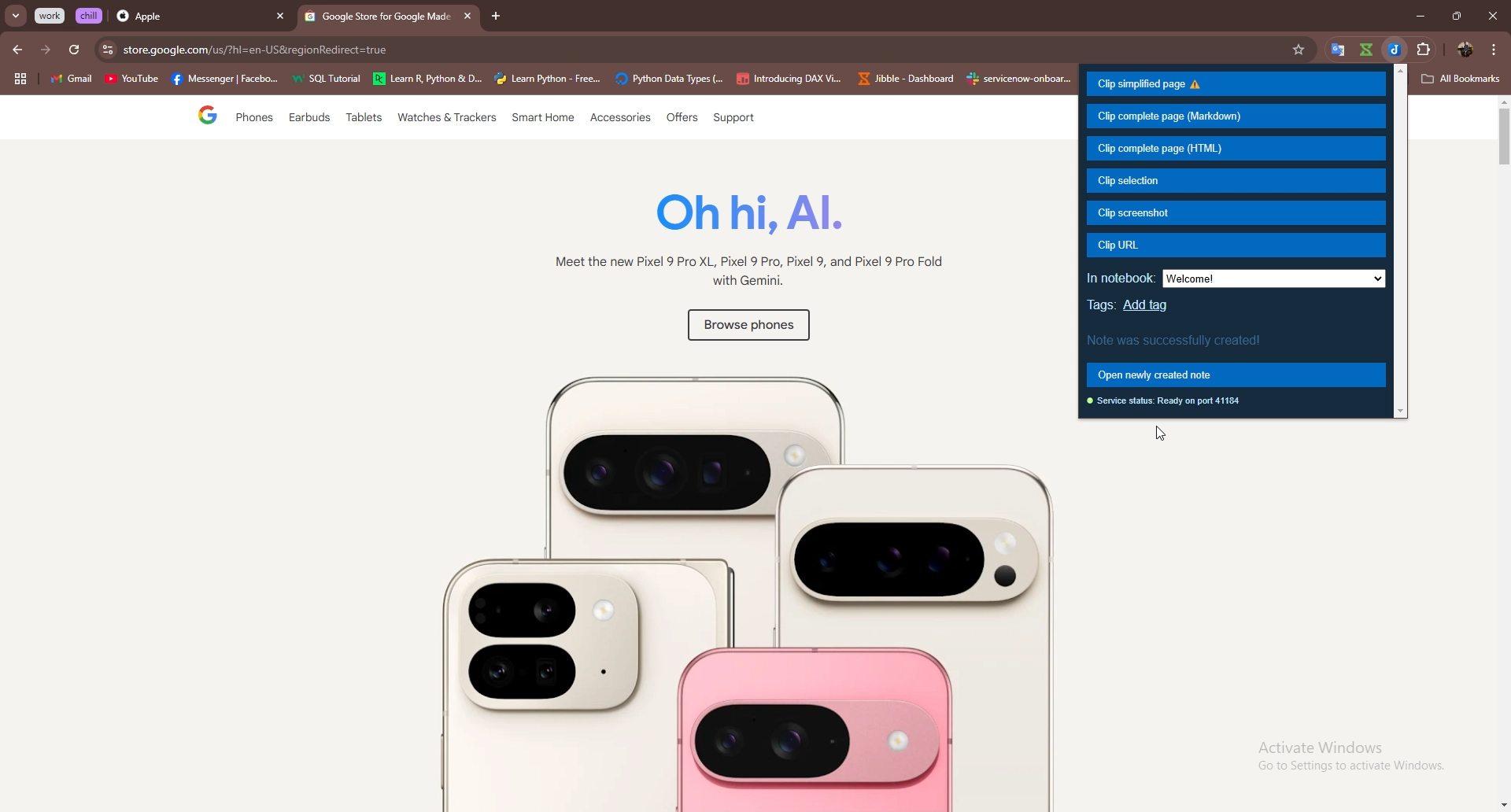 Image resolution: width=1511 pixels, height=812 pixels. I want to click on profile, so click(1462, 50).